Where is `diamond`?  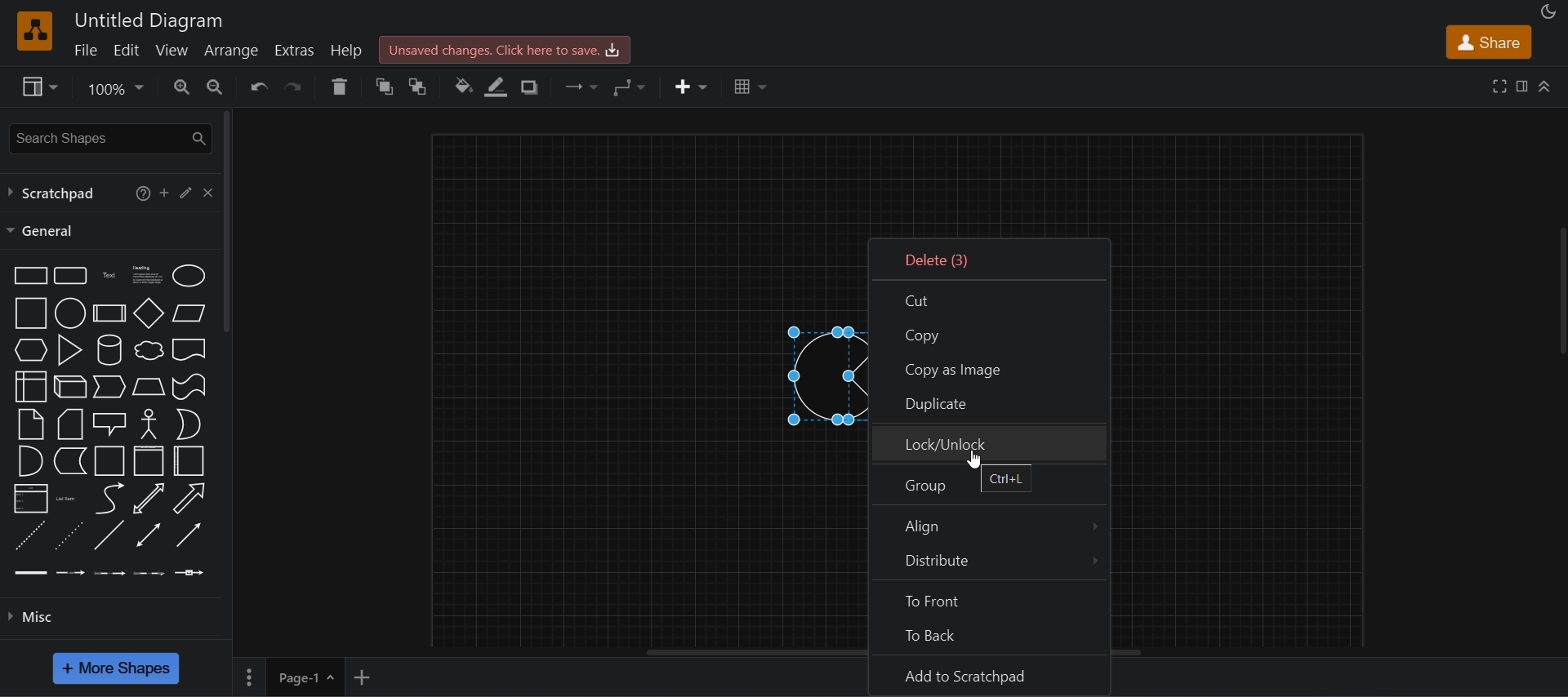
diamond is located at coordinates (149, 313).